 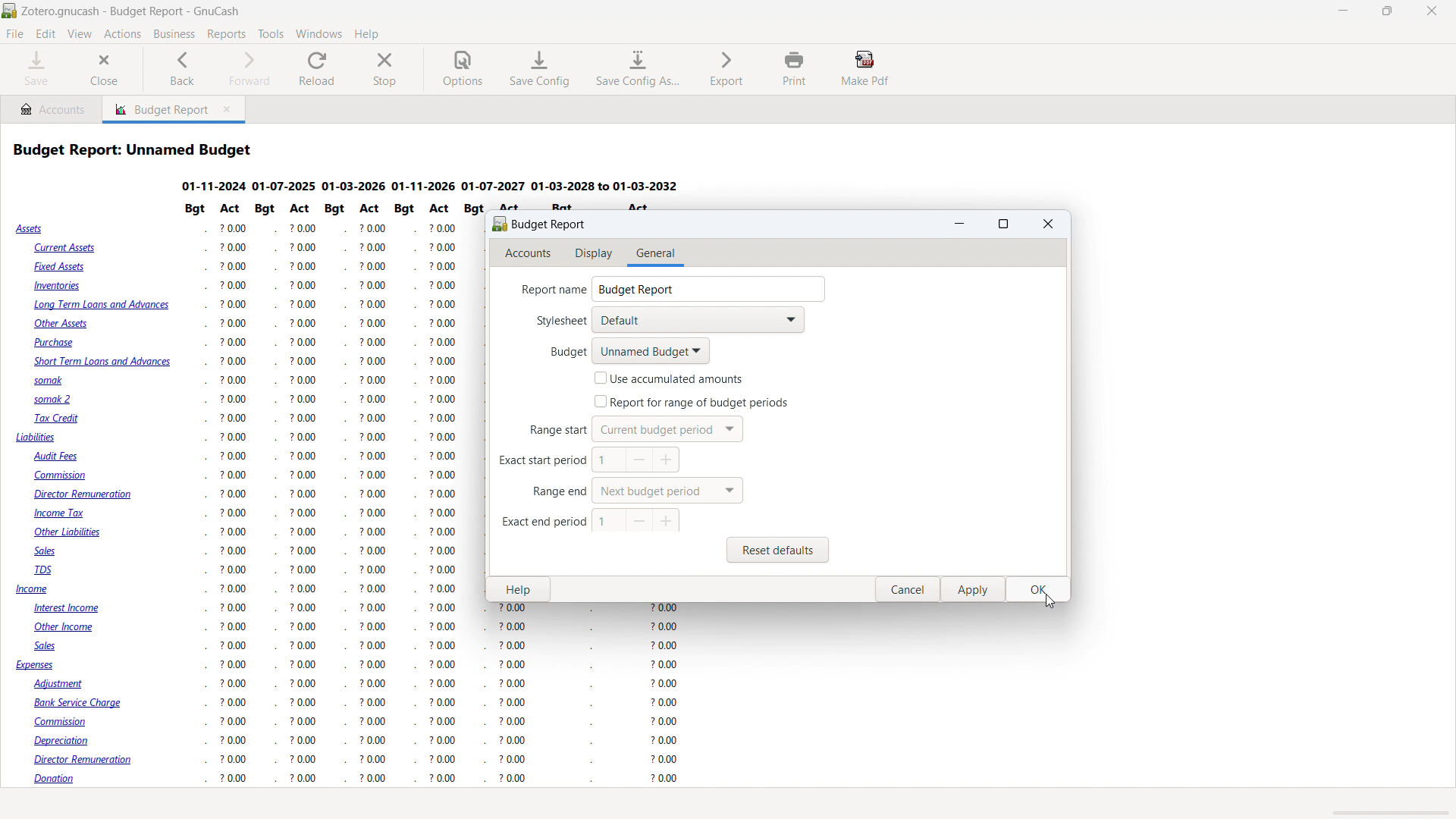 What do you see at coordinates (1345, 11) in the screenshot?
I see `minimize` at bounding box center [1345, 11].